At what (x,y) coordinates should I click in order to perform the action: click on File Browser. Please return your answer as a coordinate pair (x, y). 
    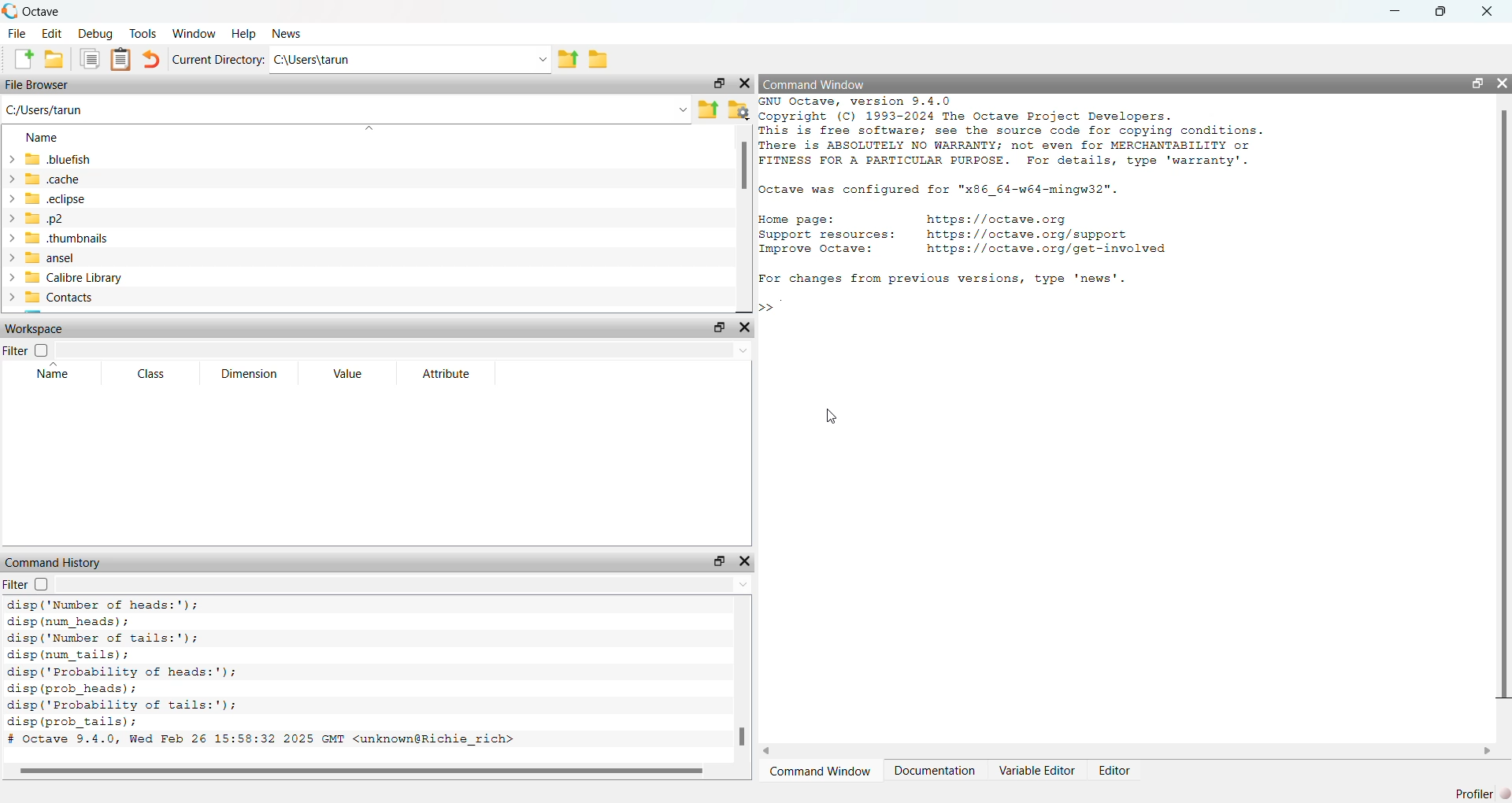
    Looking at the image, I should click on (37, 84).